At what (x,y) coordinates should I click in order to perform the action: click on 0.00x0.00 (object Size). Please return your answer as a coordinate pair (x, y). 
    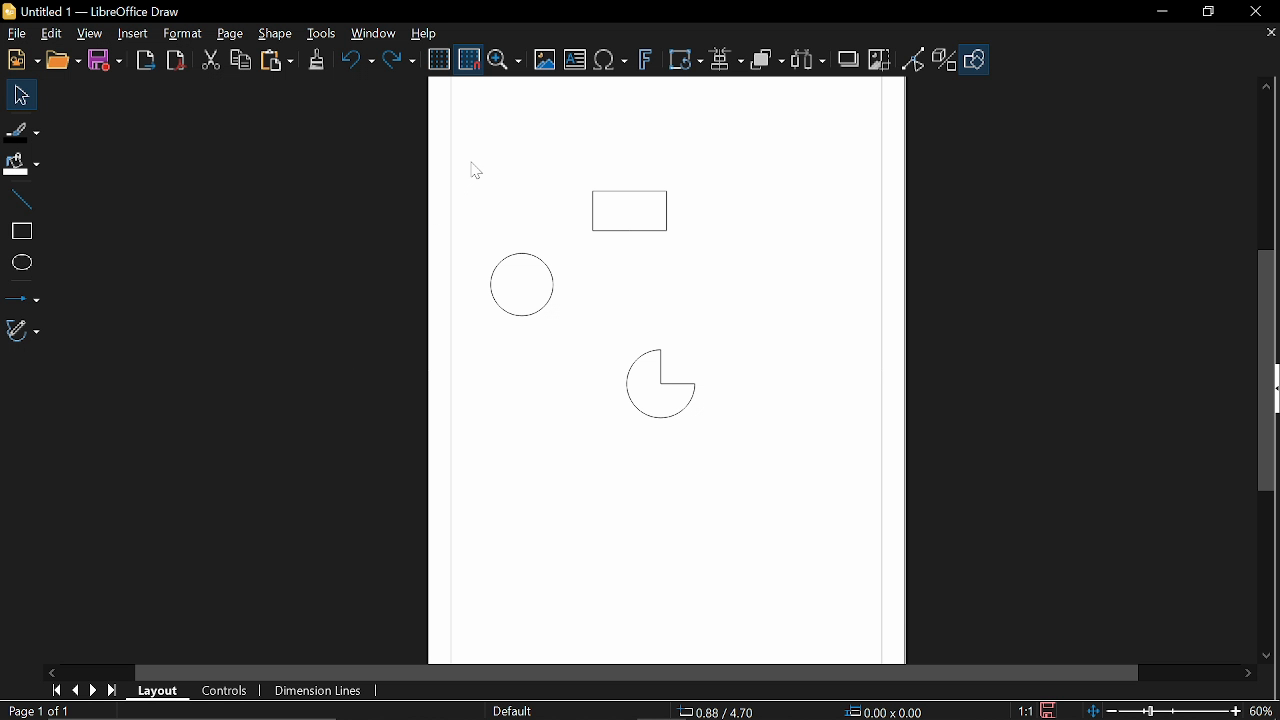
    Looking at the image, I should click on (890, 711).